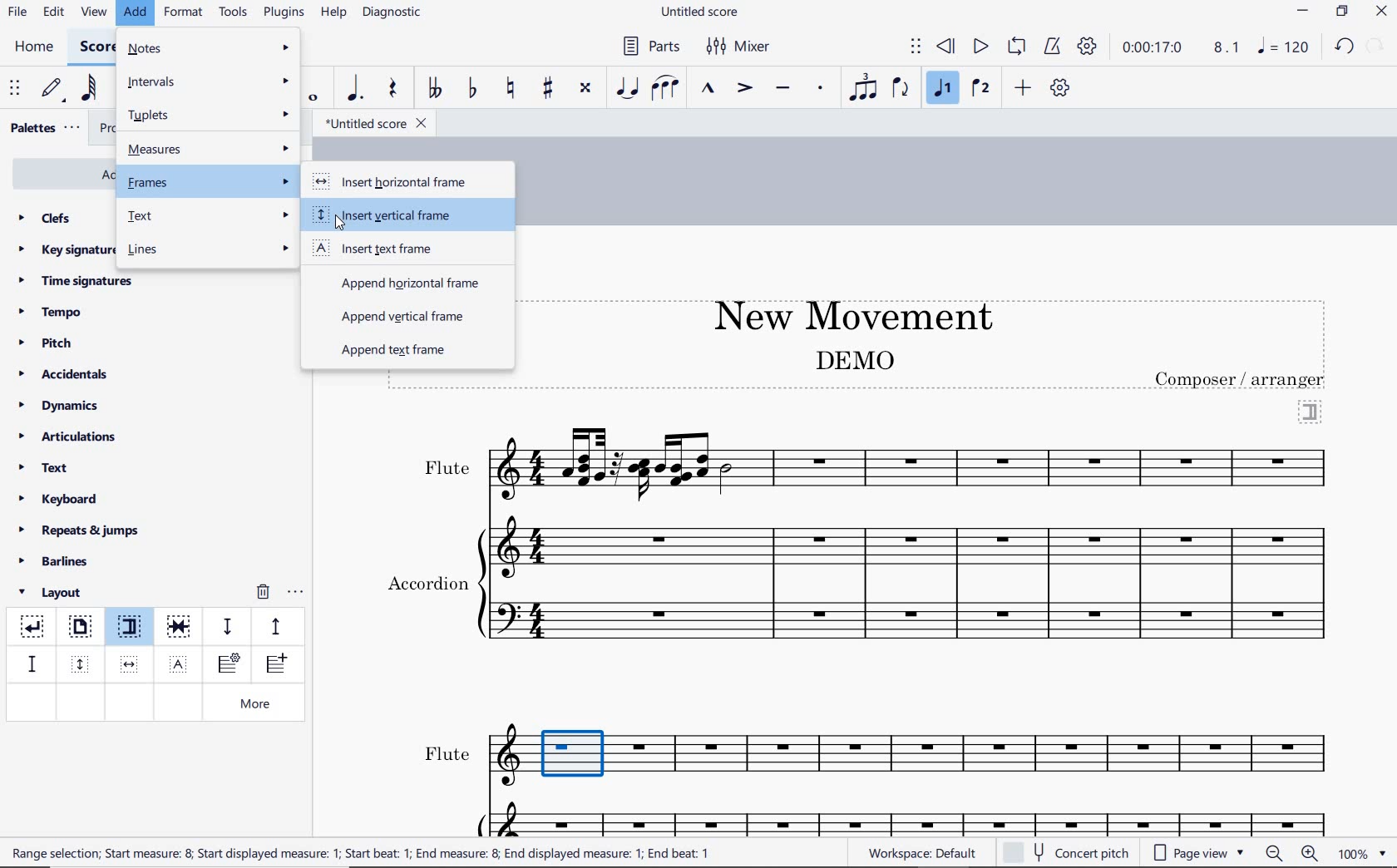 This screenshot has height=868, width=1397. Describe the element at coordinates (945, 89) in the screenshot. I see `voice1` at that location.